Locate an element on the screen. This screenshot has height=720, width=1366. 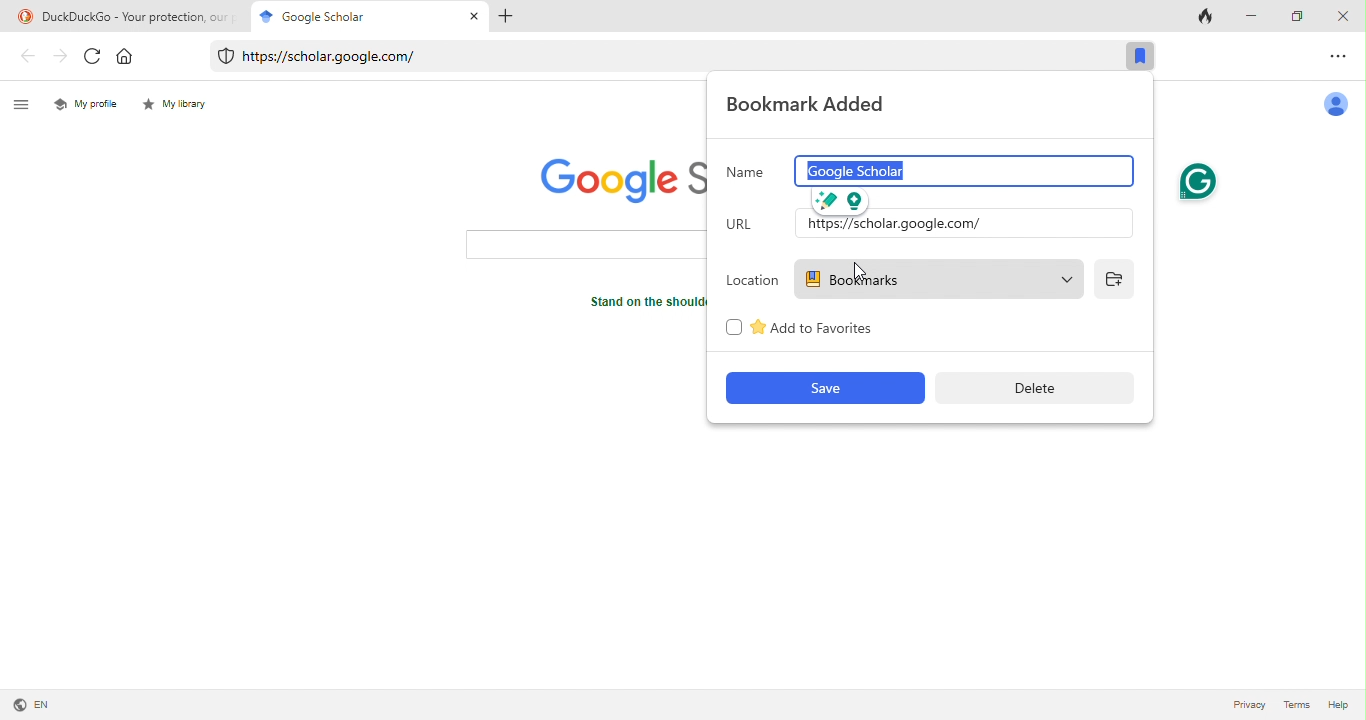
google scholar is located at coordinates (305, 15).